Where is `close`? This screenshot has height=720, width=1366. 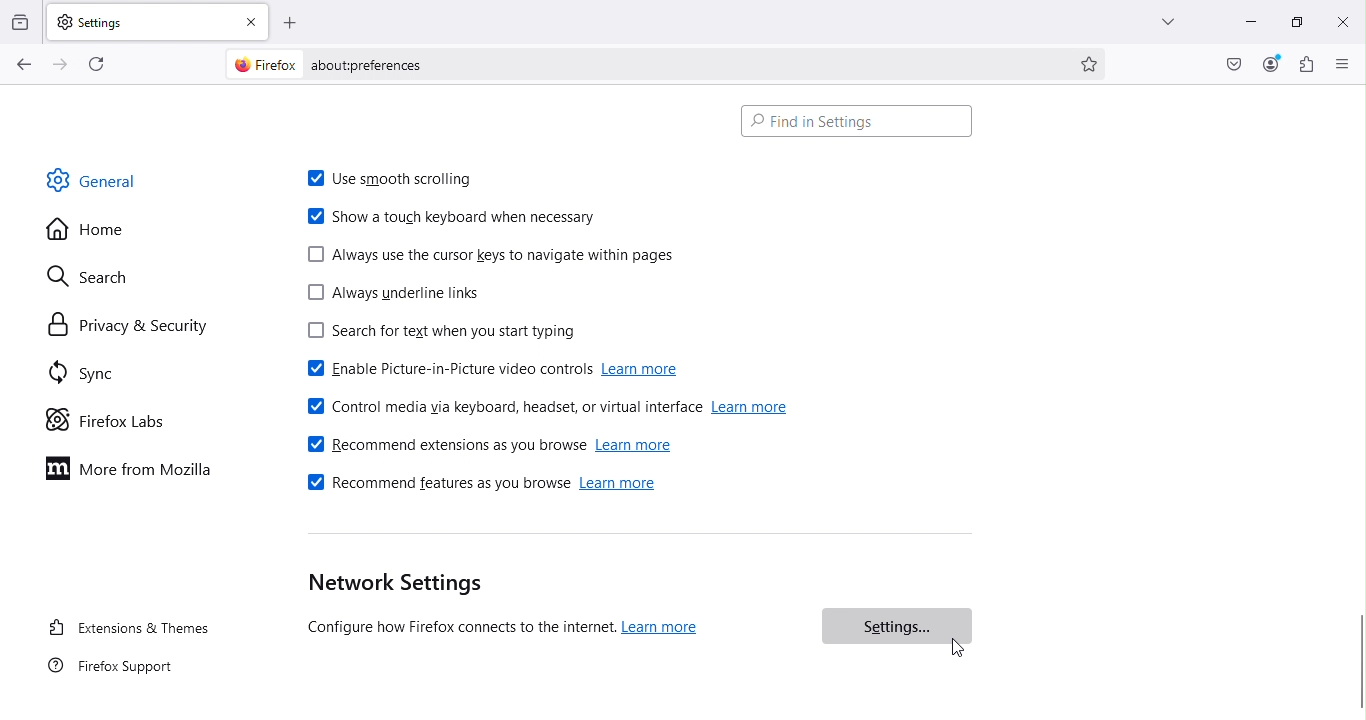 close is located at coordinates (1339, 20).